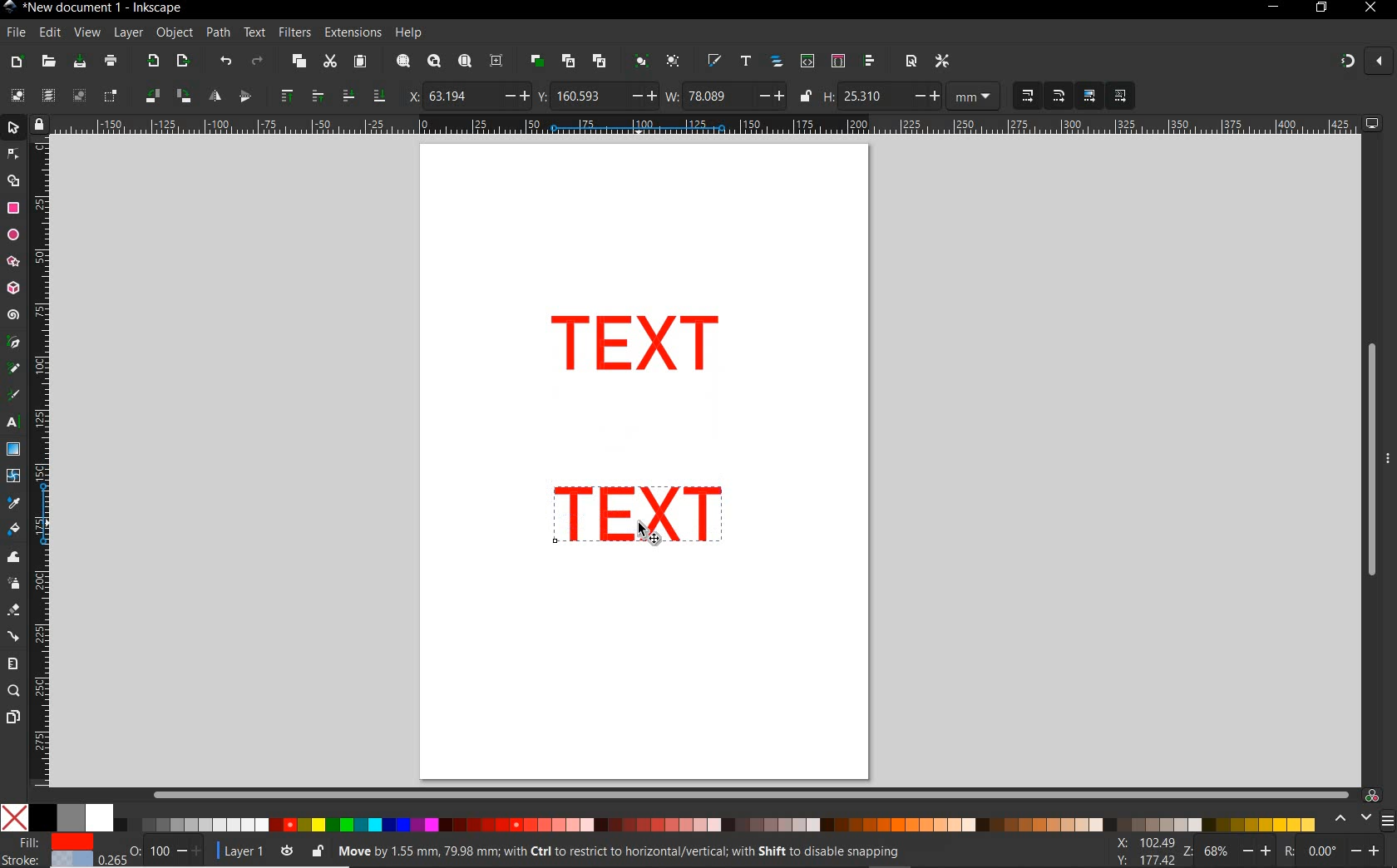  I want to click on filters, so click(294, 32).